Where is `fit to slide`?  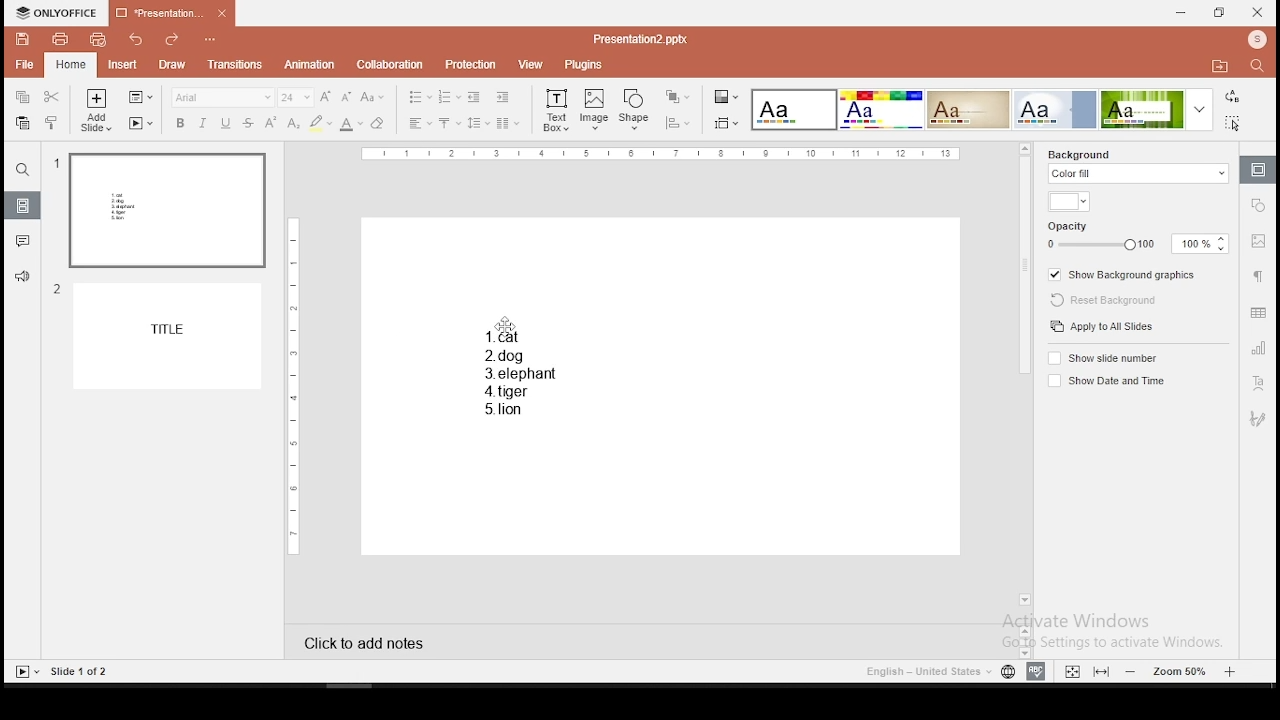
fit to slide is located at coordinates (1072, 669).